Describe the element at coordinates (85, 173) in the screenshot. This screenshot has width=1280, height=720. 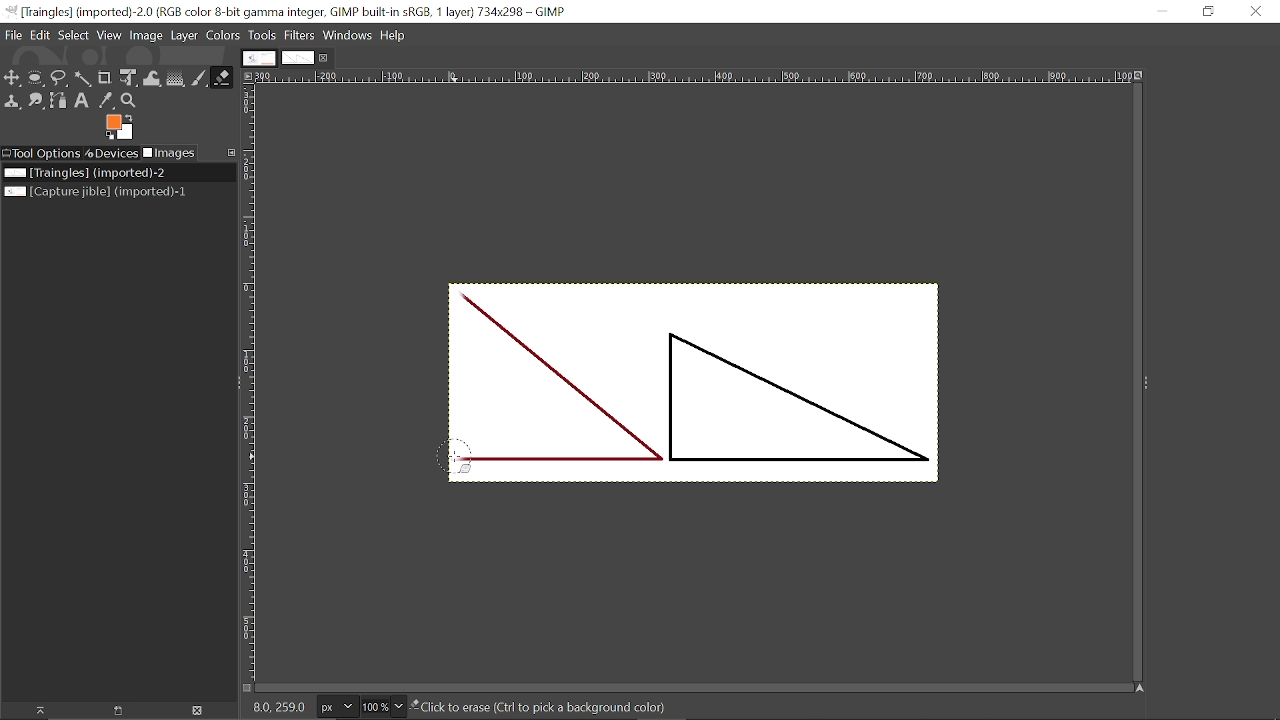
I see `Current image` at that location.